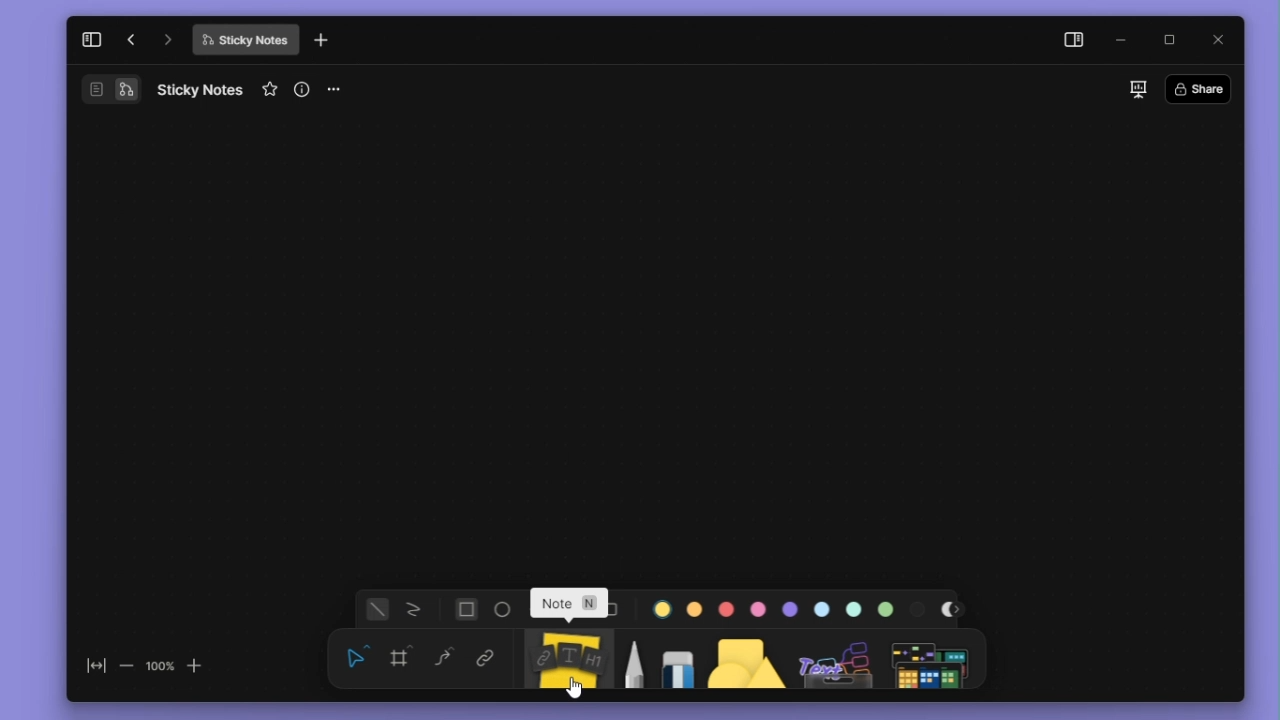  Describe the element at coordinates (757, 610) in the screenshot. I see `color pallate` at that location.